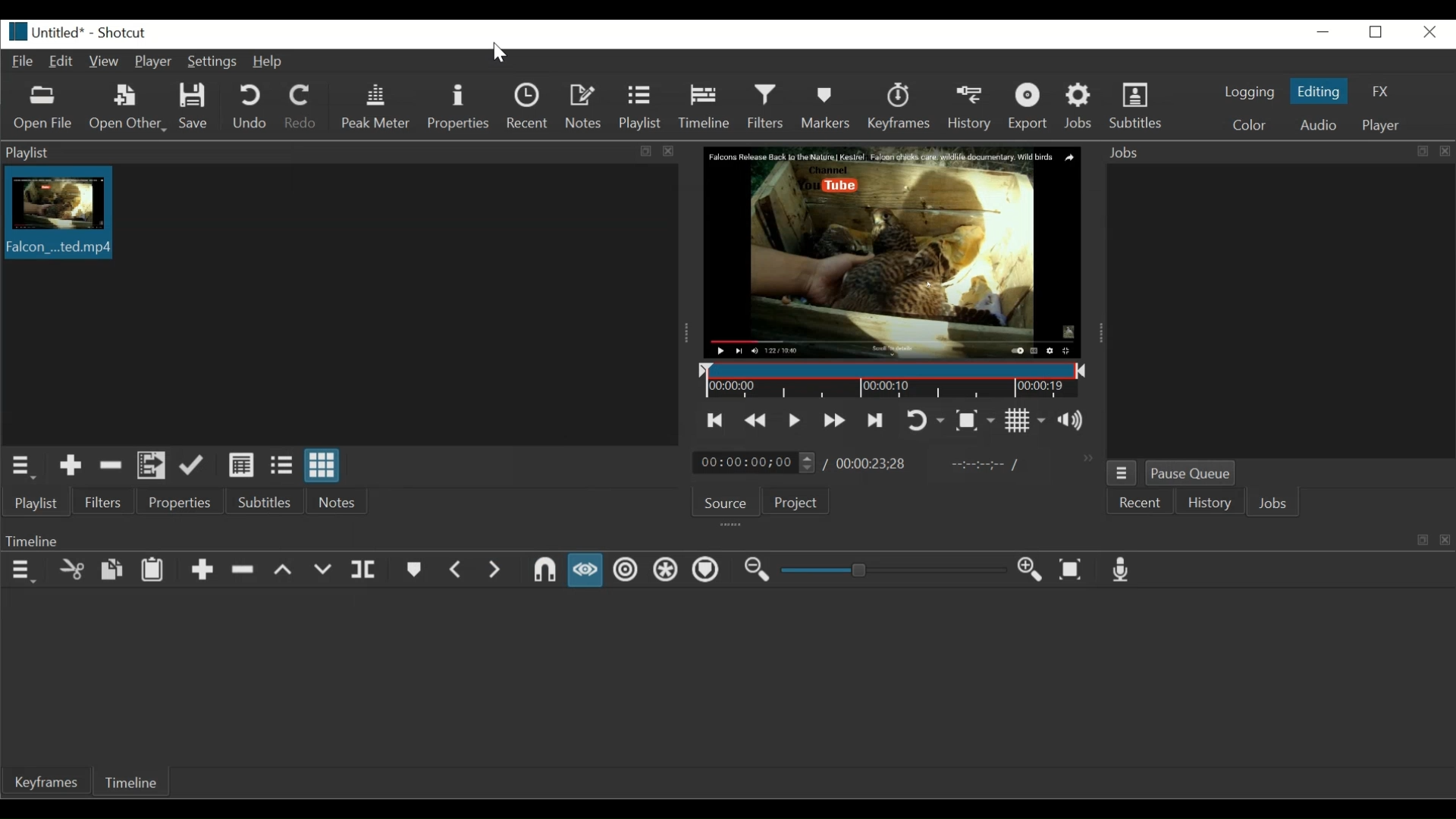 The image size is (1456, 819). I want to click on Adjust Slider Zoom Timeline, so click(893, 570).